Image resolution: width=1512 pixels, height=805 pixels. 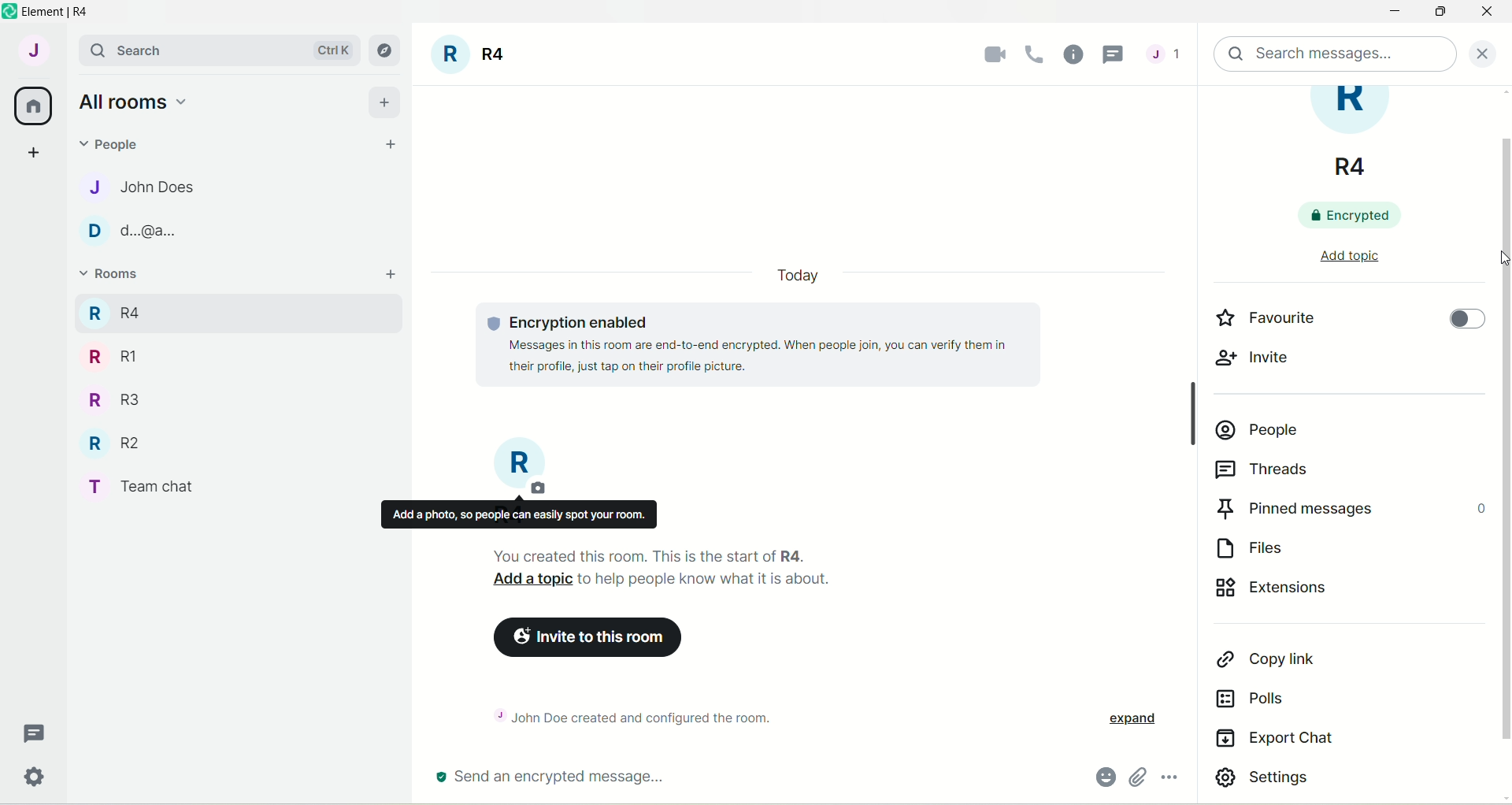 What do you see at coordinates (770, 344) in the screenshot?
I see `© Encryption enabled
Messages in this room are end-to-end encrypted. When people join, you can verify them in their
profile, just tap on their profile picture.` at bounding box center [770, 344].